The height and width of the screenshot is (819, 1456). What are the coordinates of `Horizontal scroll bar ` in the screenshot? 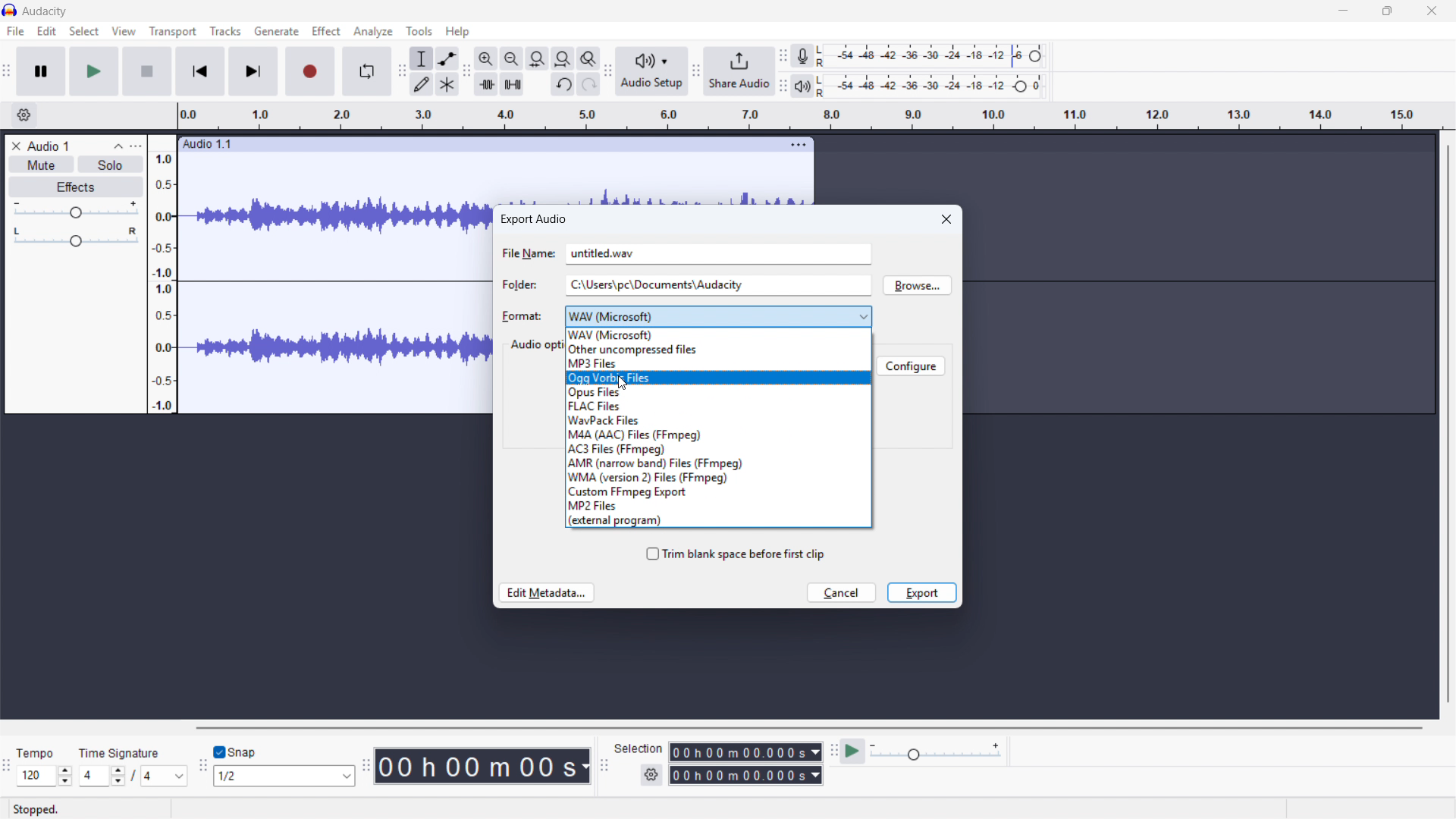 It's located at (807, 728).